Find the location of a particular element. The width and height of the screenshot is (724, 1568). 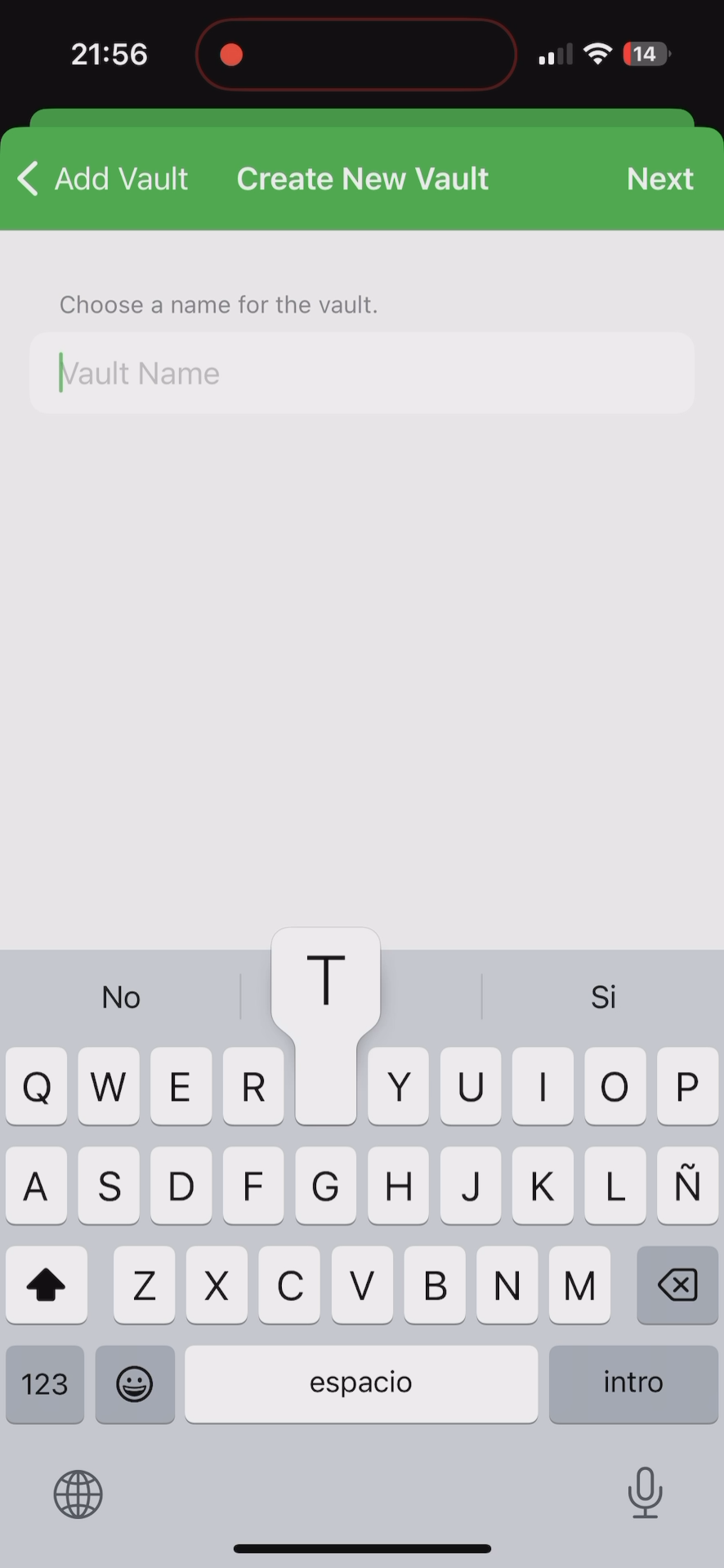

create new is located at coordinates (362, 180).